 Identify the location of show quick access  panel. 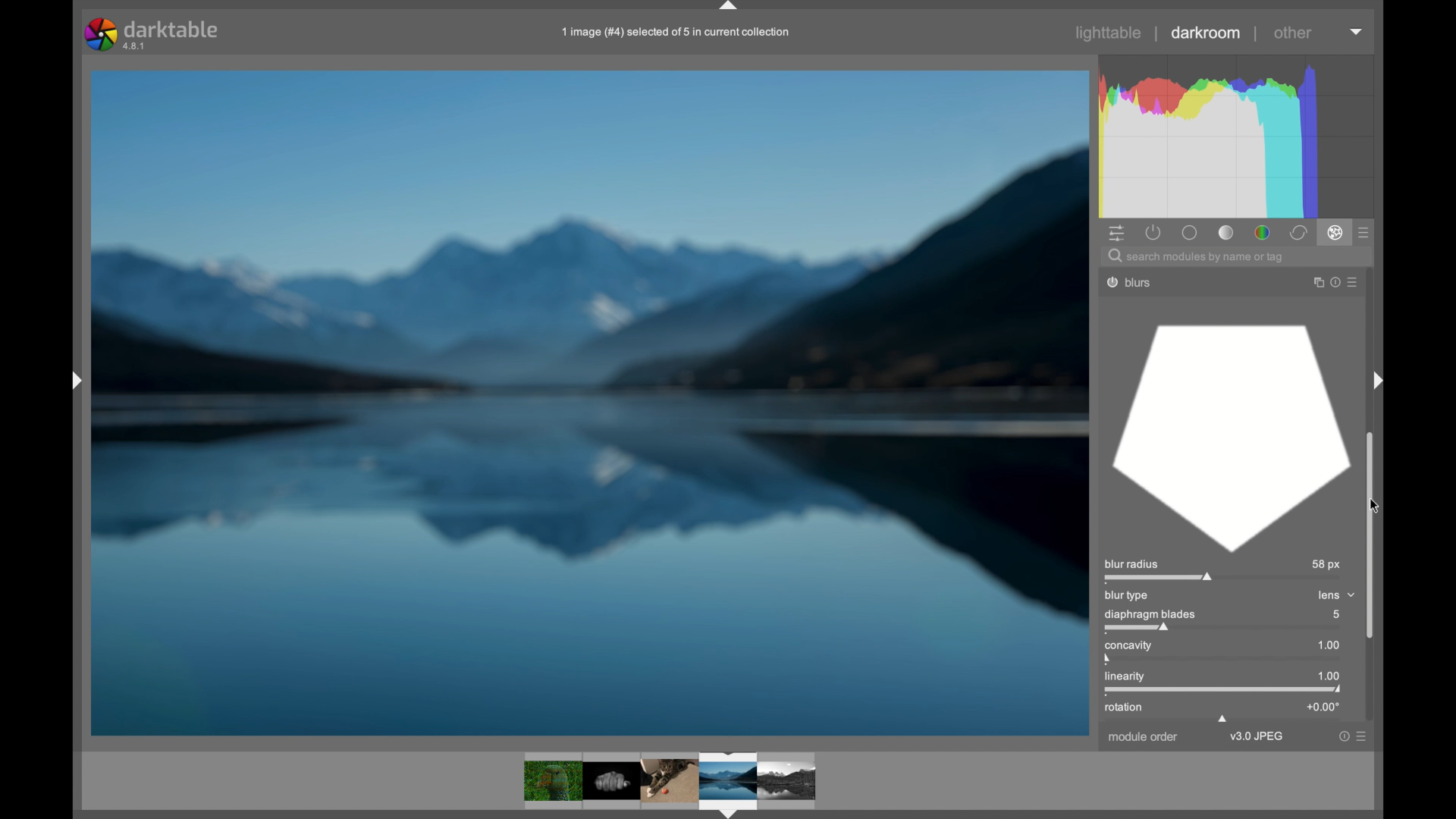
(1116, 232).